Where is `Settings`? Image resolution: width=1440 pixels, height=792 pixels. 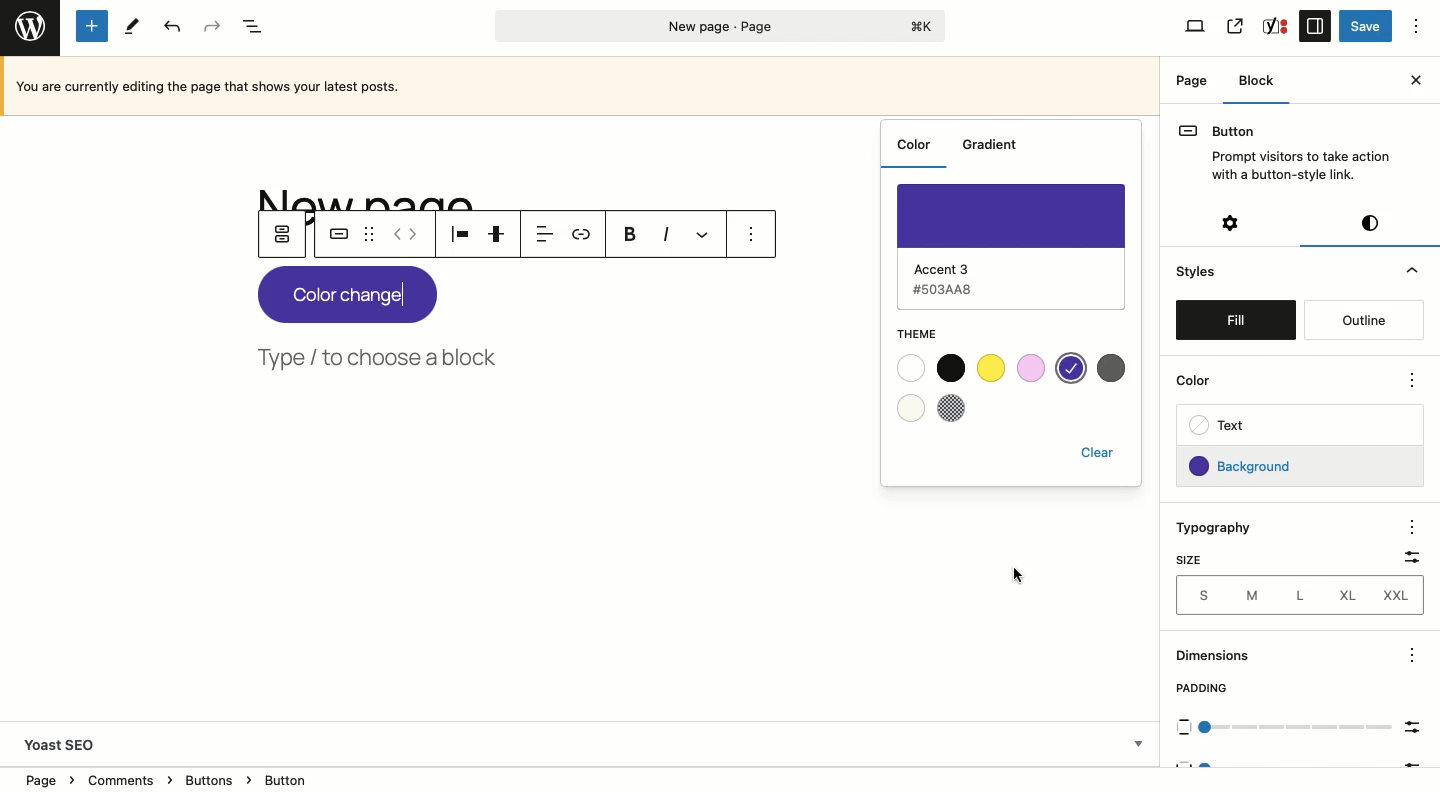
Settings is located at coordinates (1232, 222).